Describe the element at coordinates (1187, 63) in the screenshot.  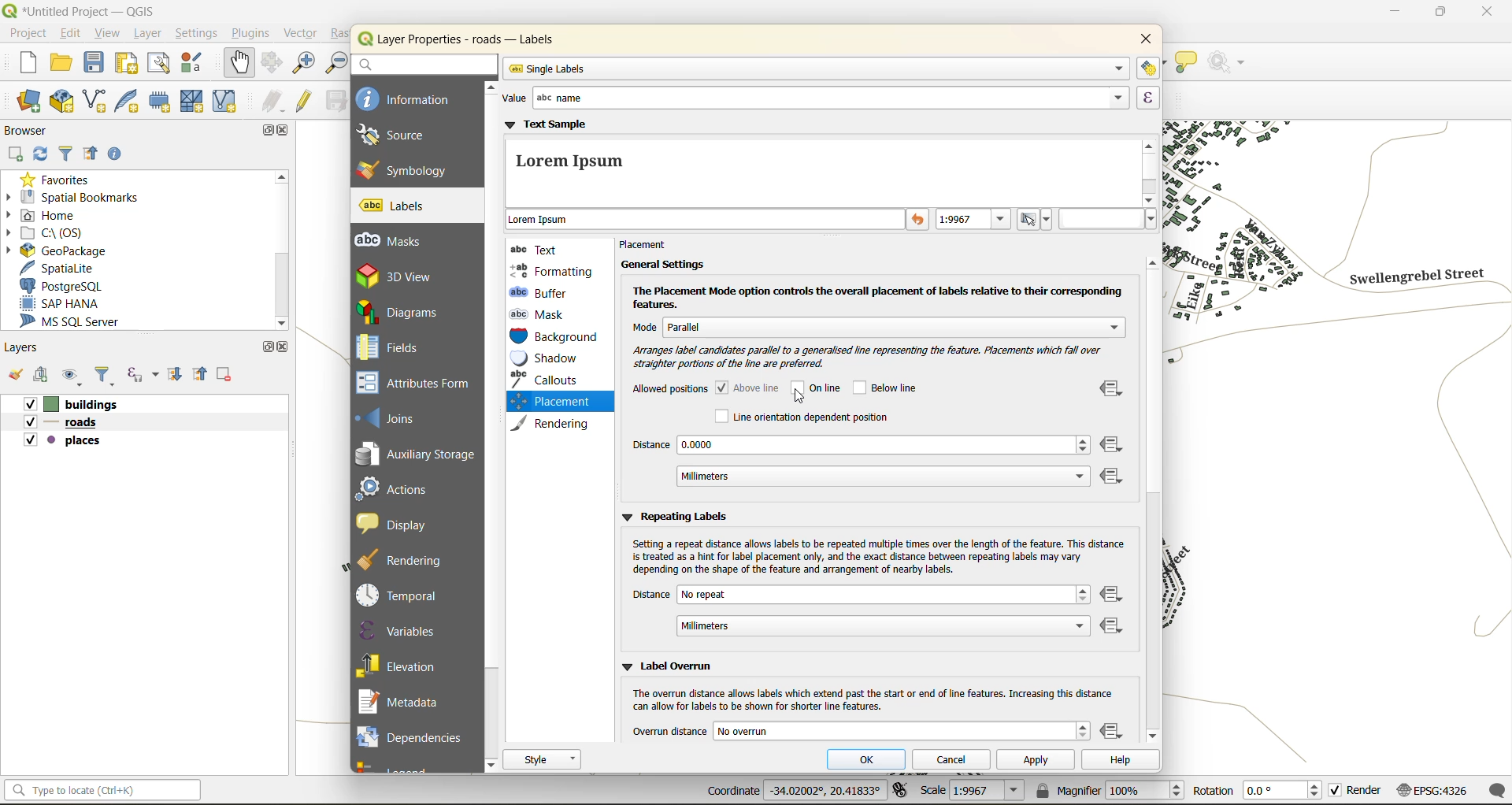
I see `show tips` at that location.